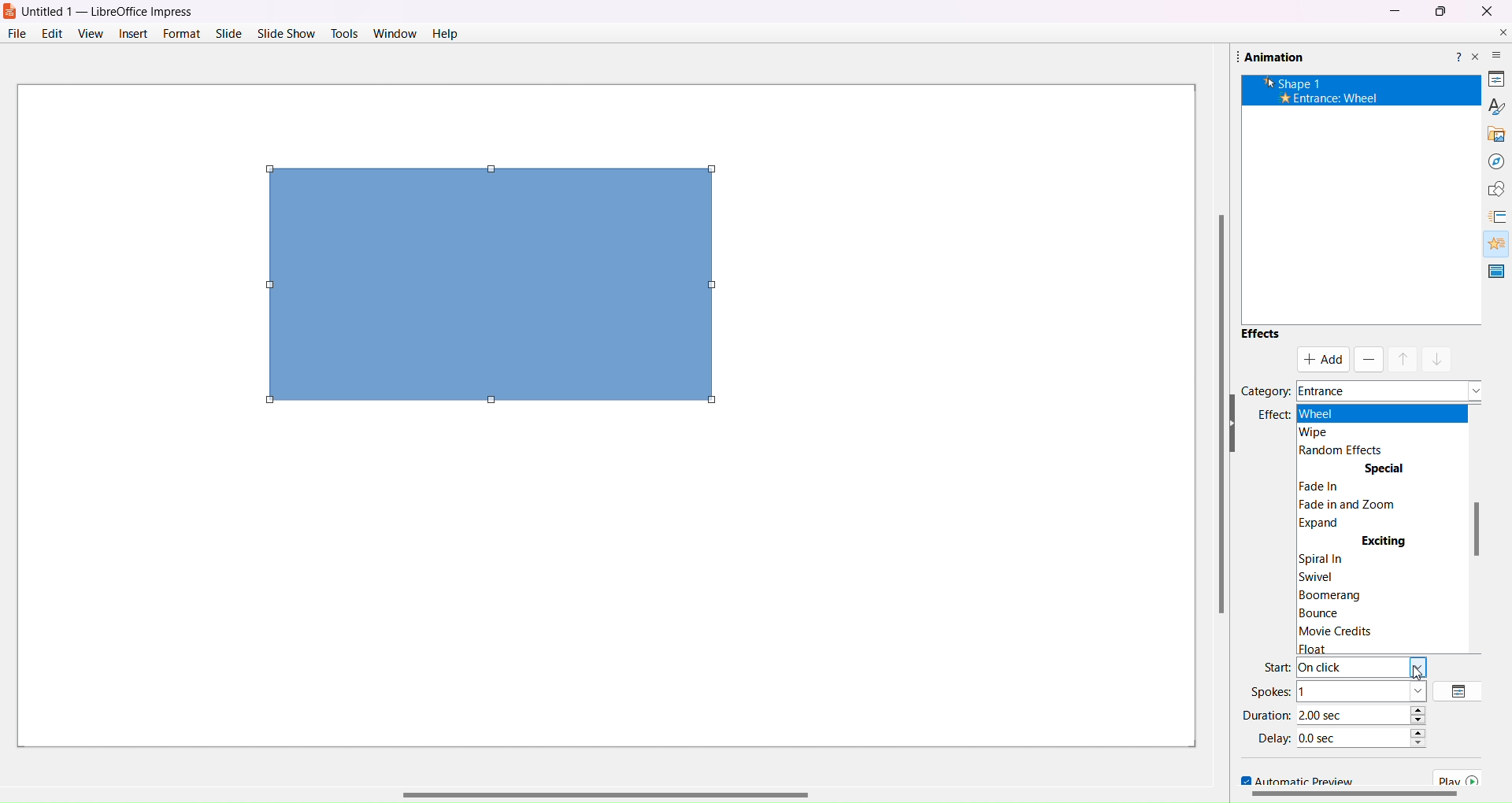  What do you see at coordinates (1351, 736) in the screenshot?
I see `Time` at bounding box center [1351, 736].